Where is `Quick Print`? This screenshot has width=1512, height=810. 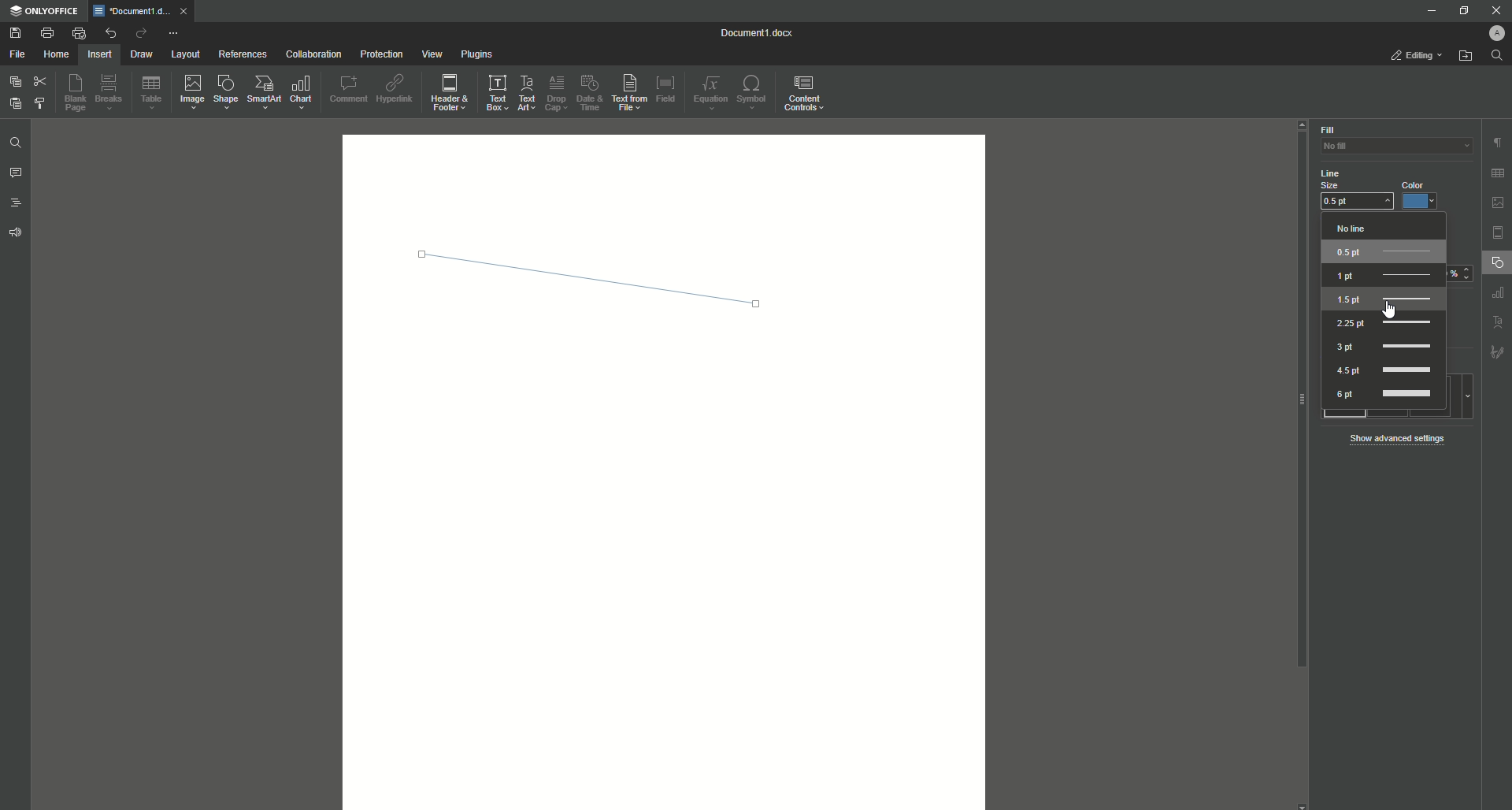 Quick Print is located at coordinates (78, 32).